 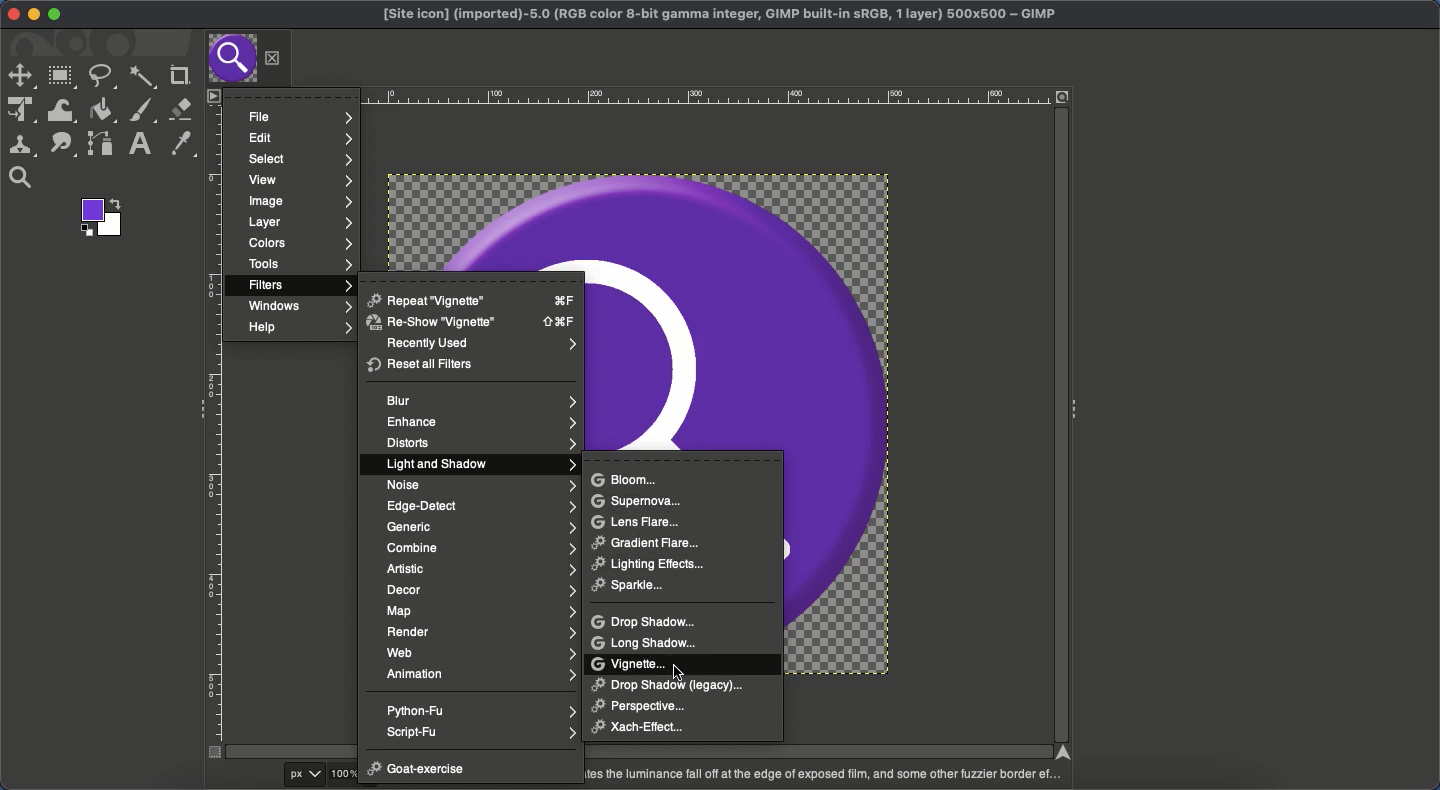 I want to click on Freeform selector, so click(x=101, y=76).